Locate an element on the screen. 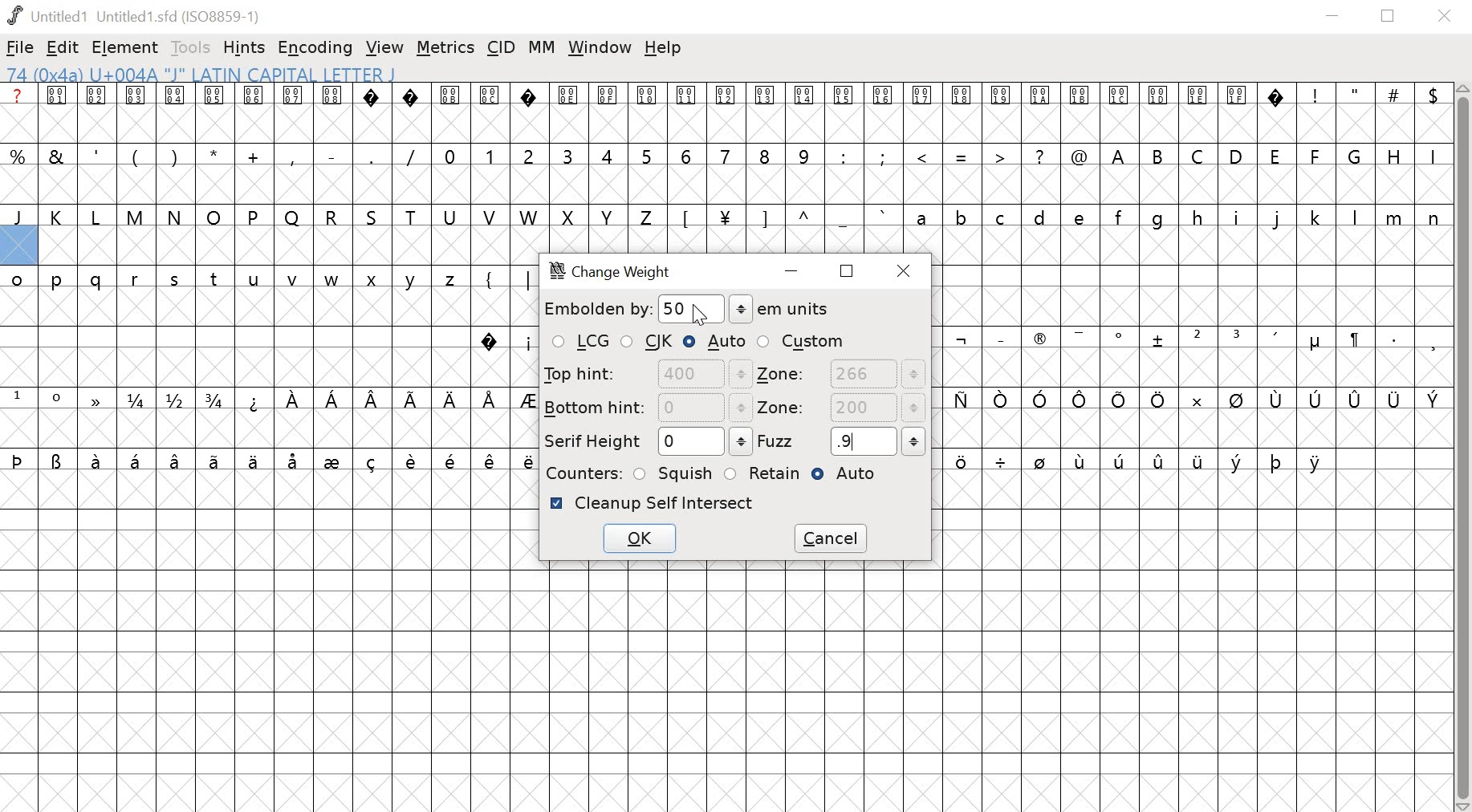 The height and width of the screenshot is (812, 1472). CID is located at coordinates (502, 47).